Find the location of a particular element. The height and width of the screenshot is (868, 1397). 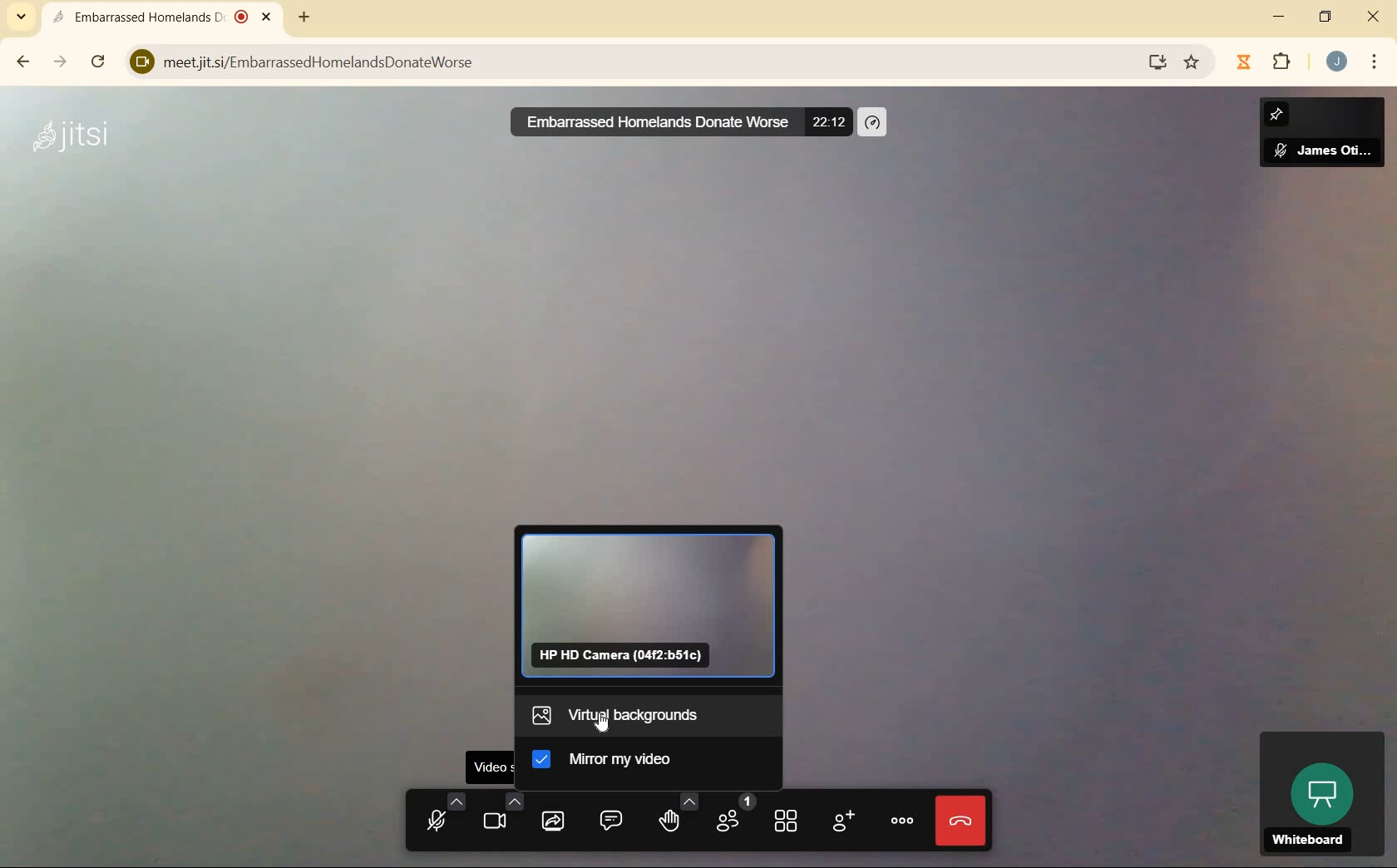

jitsi is located at coordinates (72, 145).